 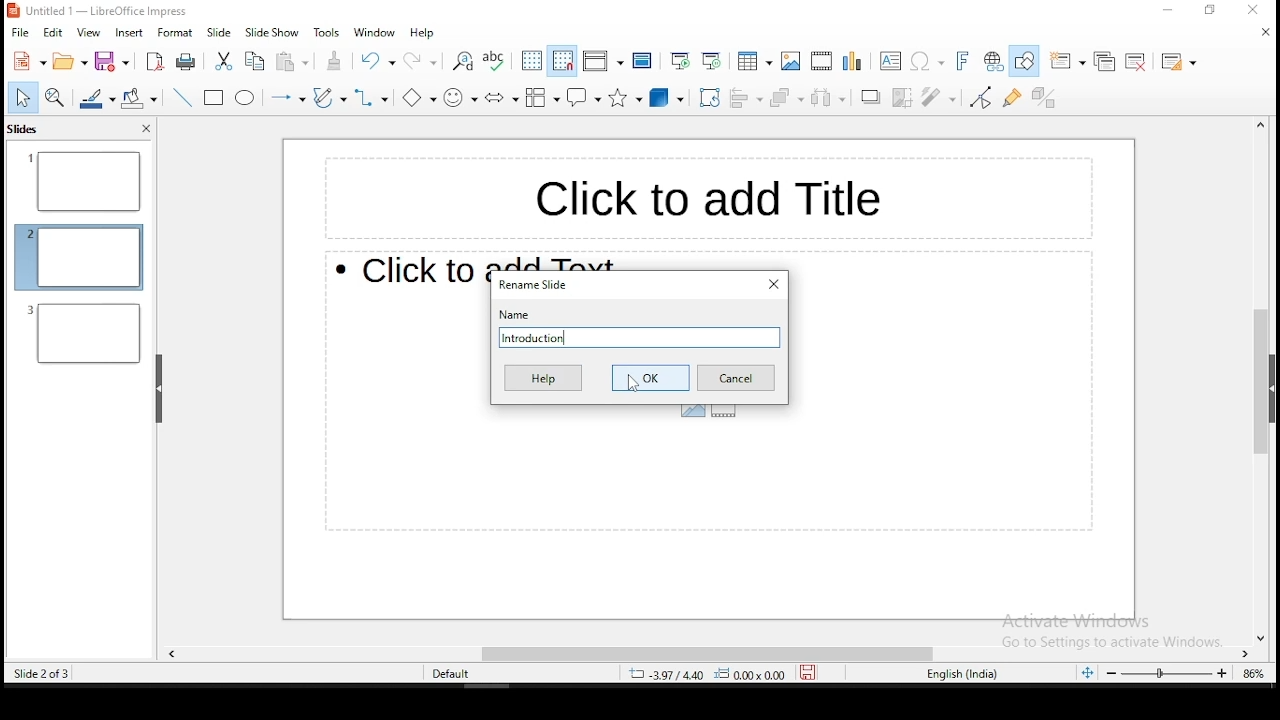 What do you see at coordinates (97, 12) in the screenshot?
I see `icon and file name` at bounding box center [97, 12].